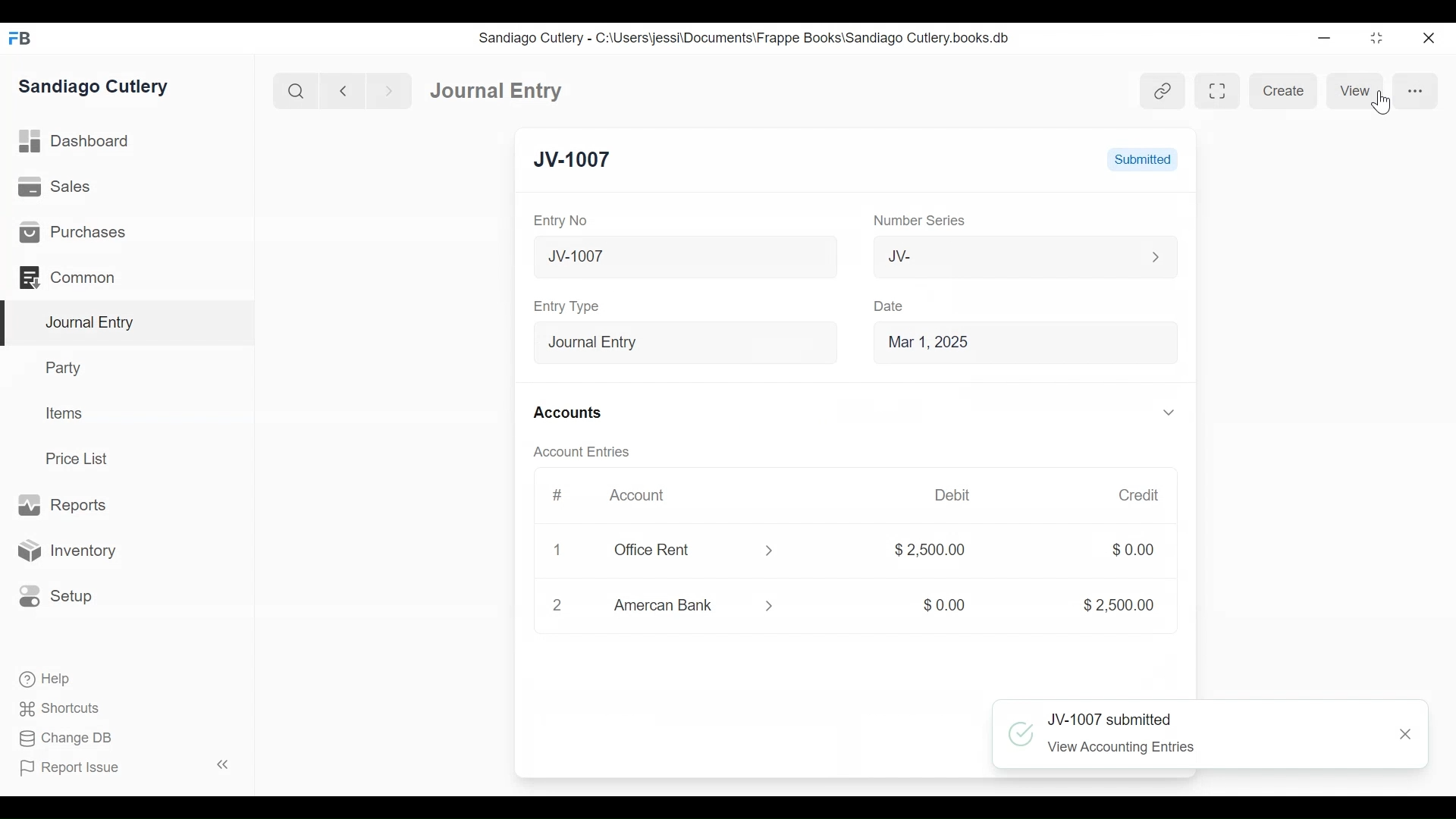  Describe the element at coordinates (127, 231) in the screenshot. I see `Purchases` at that location.